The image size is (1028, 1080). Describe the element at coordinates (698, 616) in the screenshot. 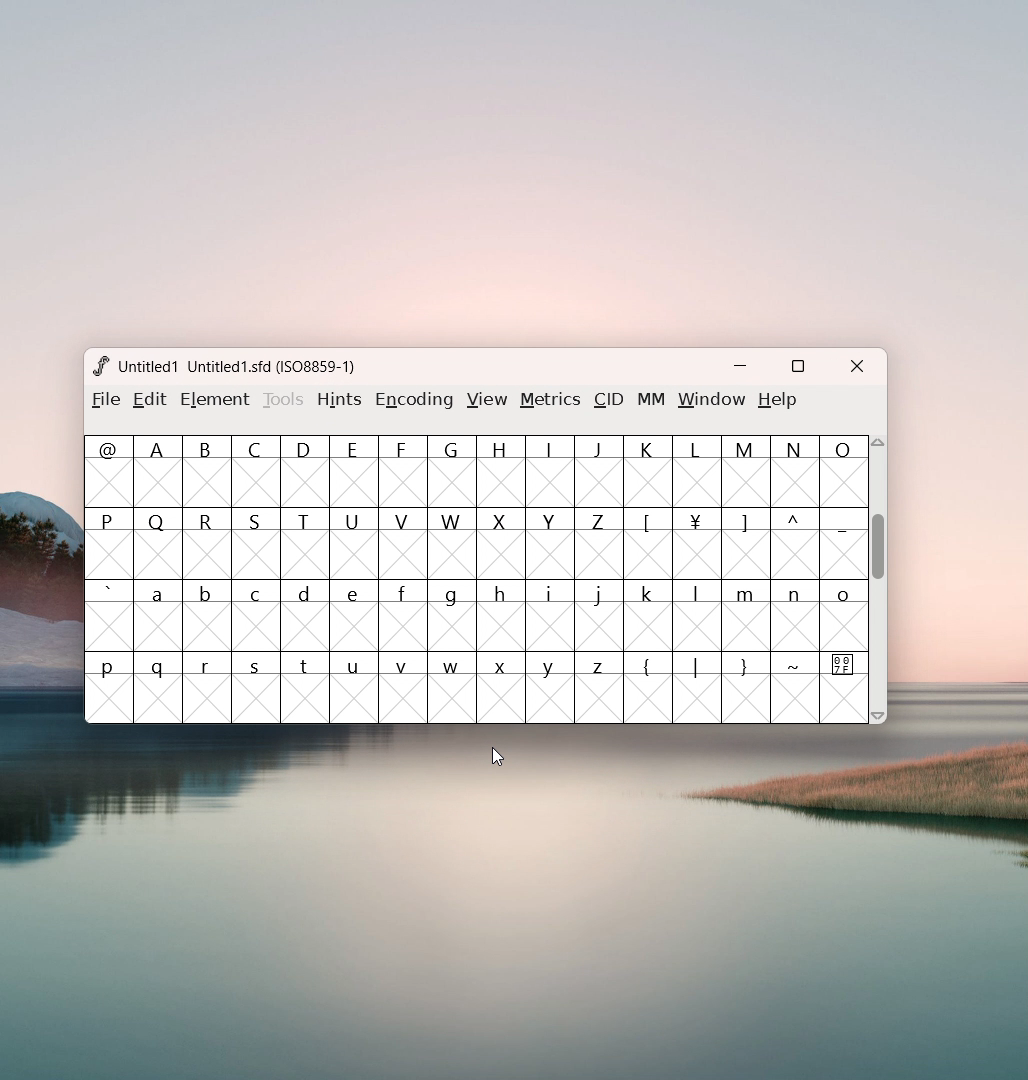

I see `l` at that location.